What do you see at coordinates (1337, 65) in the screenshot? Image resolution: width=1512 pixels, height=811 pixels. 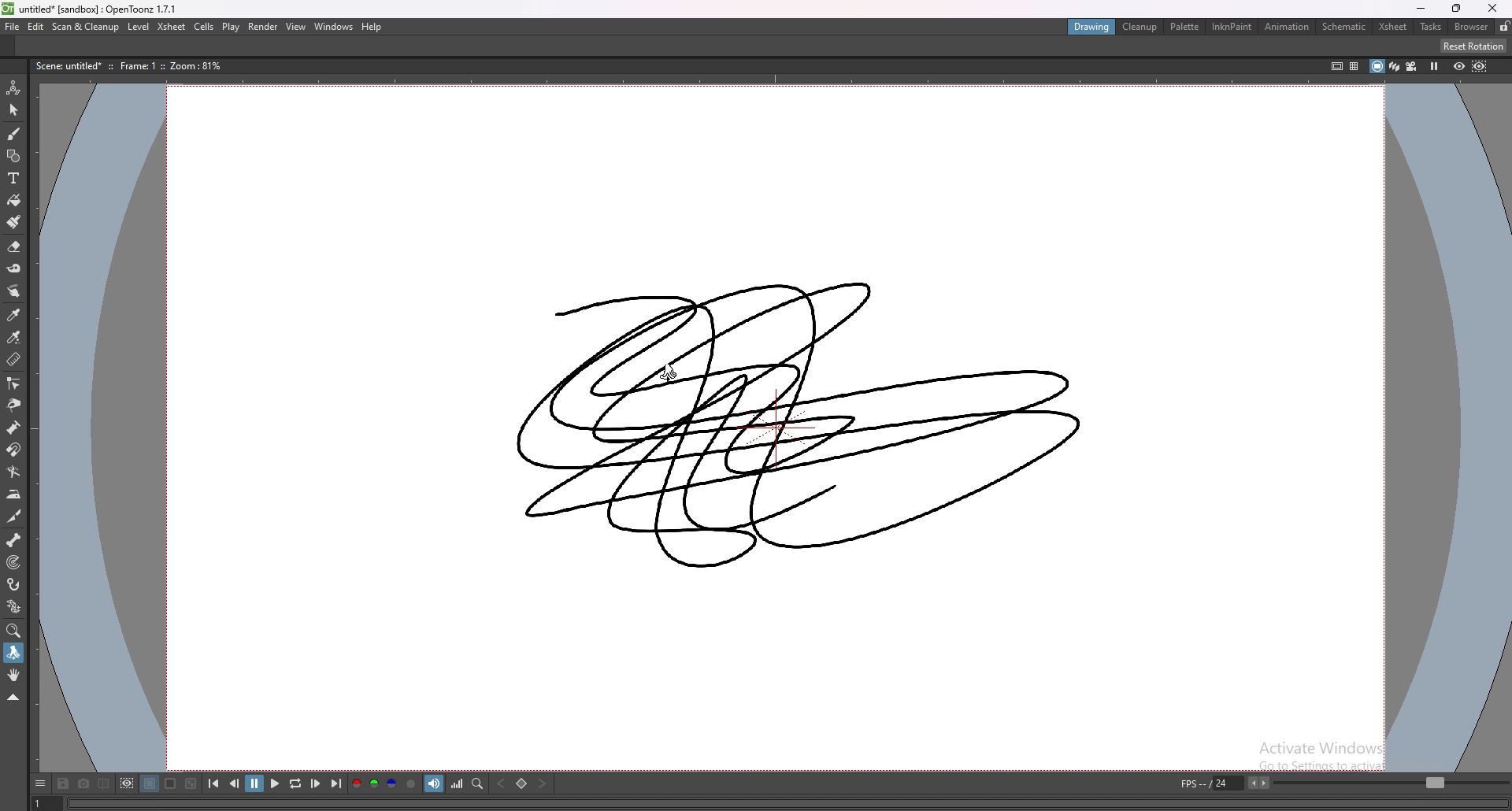 I see `safe area` at bounding box center [1337, 65].